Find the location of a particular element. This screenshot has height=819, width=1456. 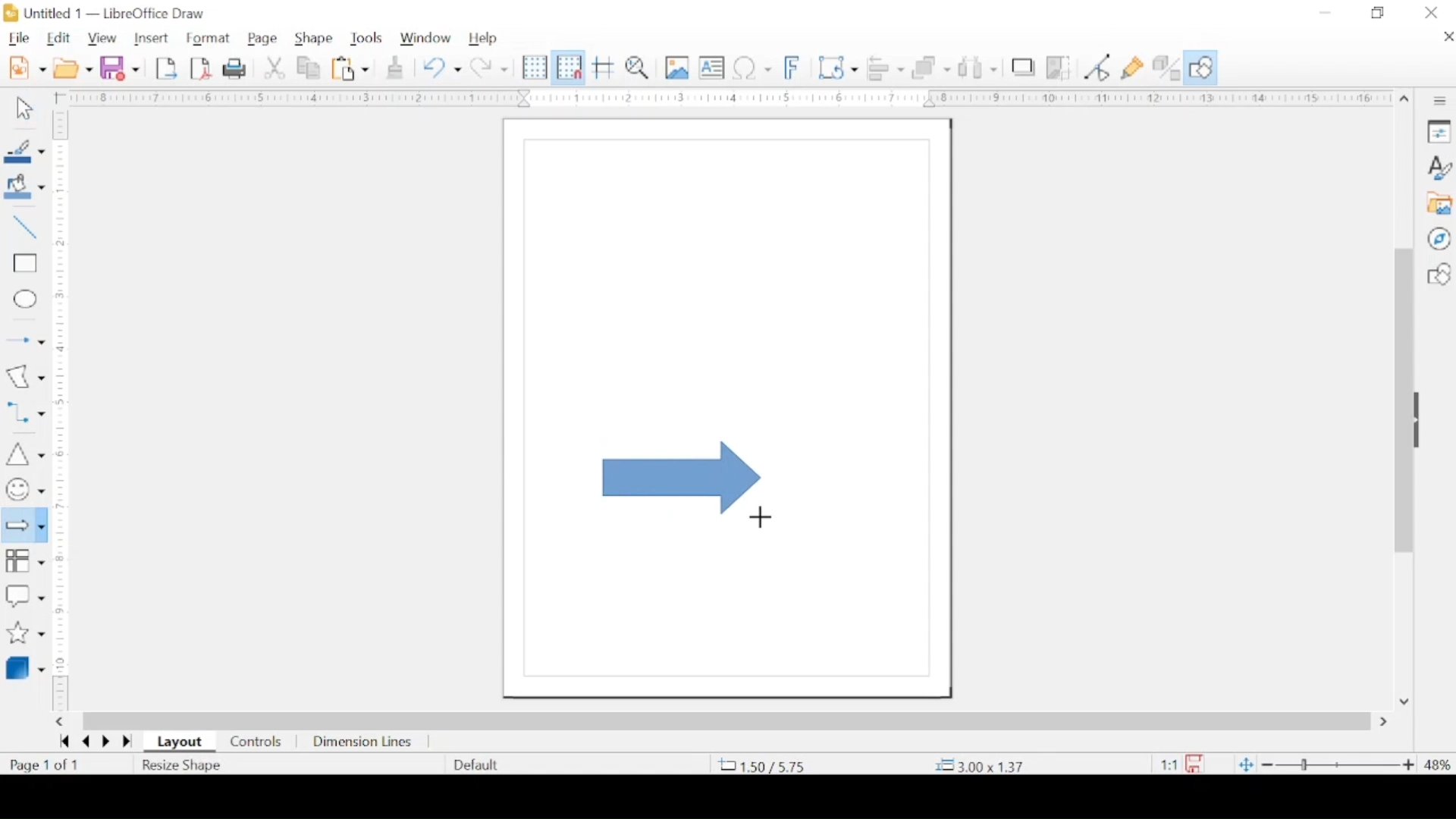

copy is located at coordinates (309, 67).